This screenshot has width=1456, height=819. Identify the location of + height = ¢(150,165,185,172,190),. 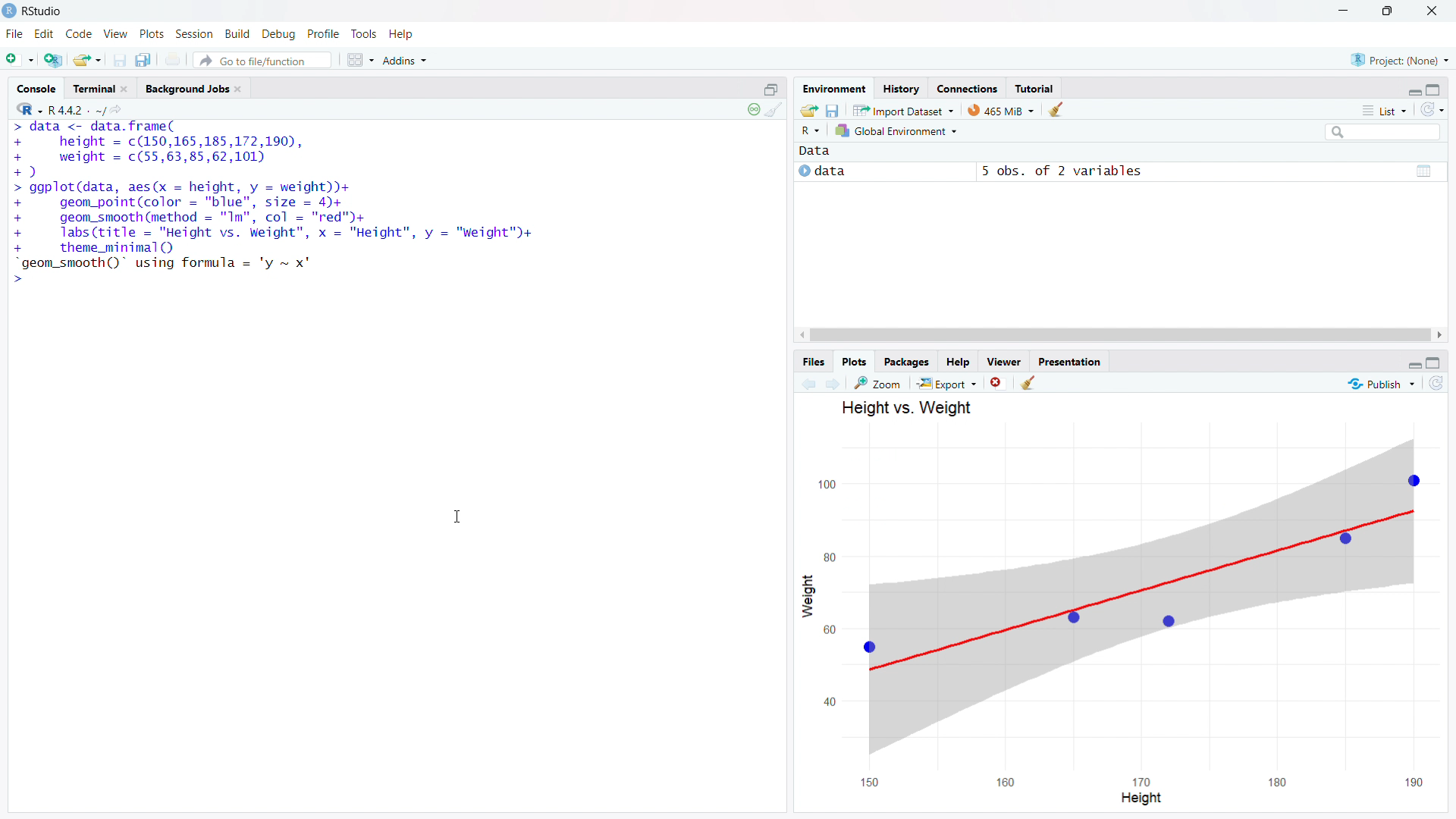
(158, 142).